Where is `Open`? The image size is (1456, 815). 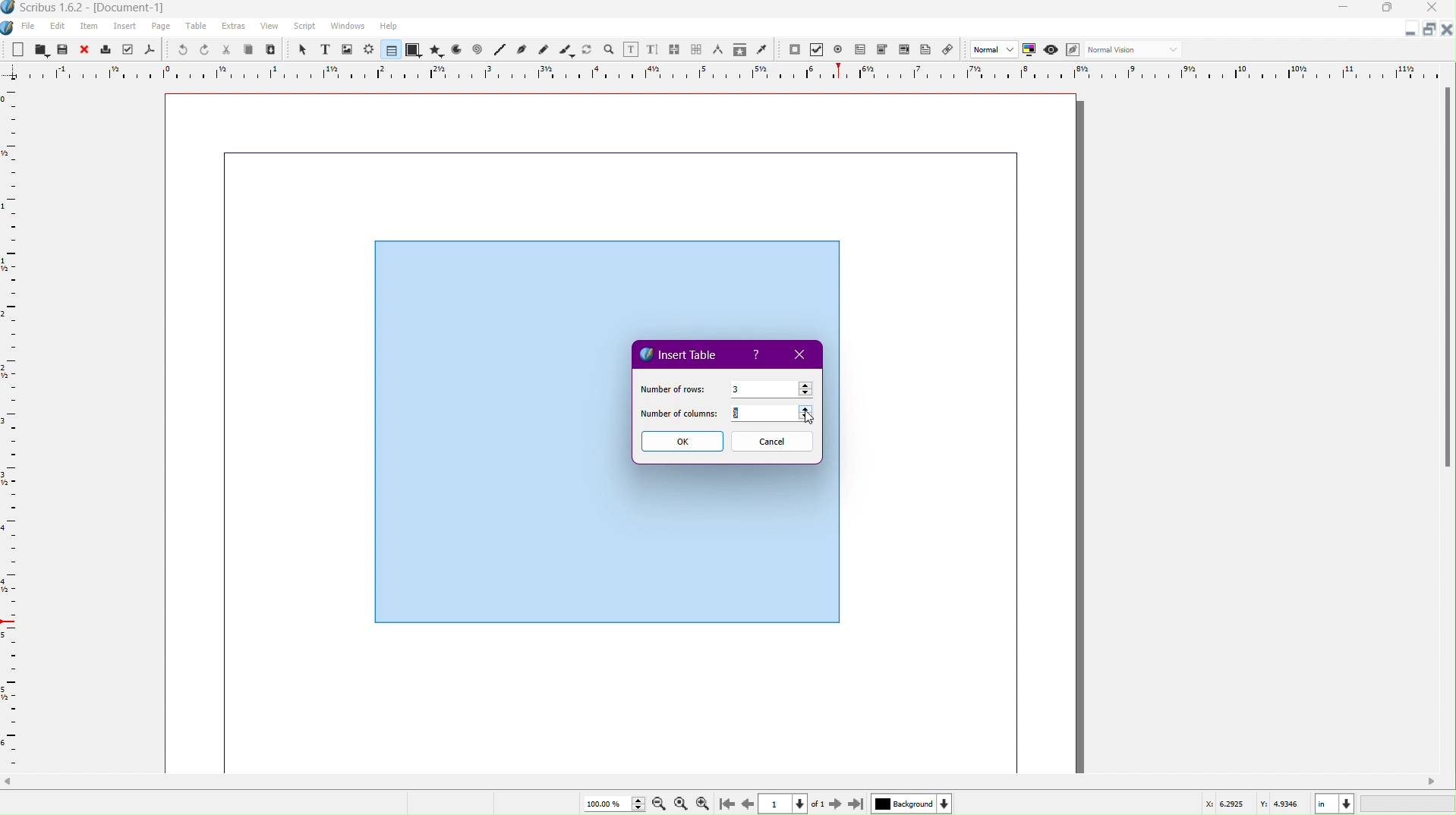 Open is located at coordinates (41, 49).